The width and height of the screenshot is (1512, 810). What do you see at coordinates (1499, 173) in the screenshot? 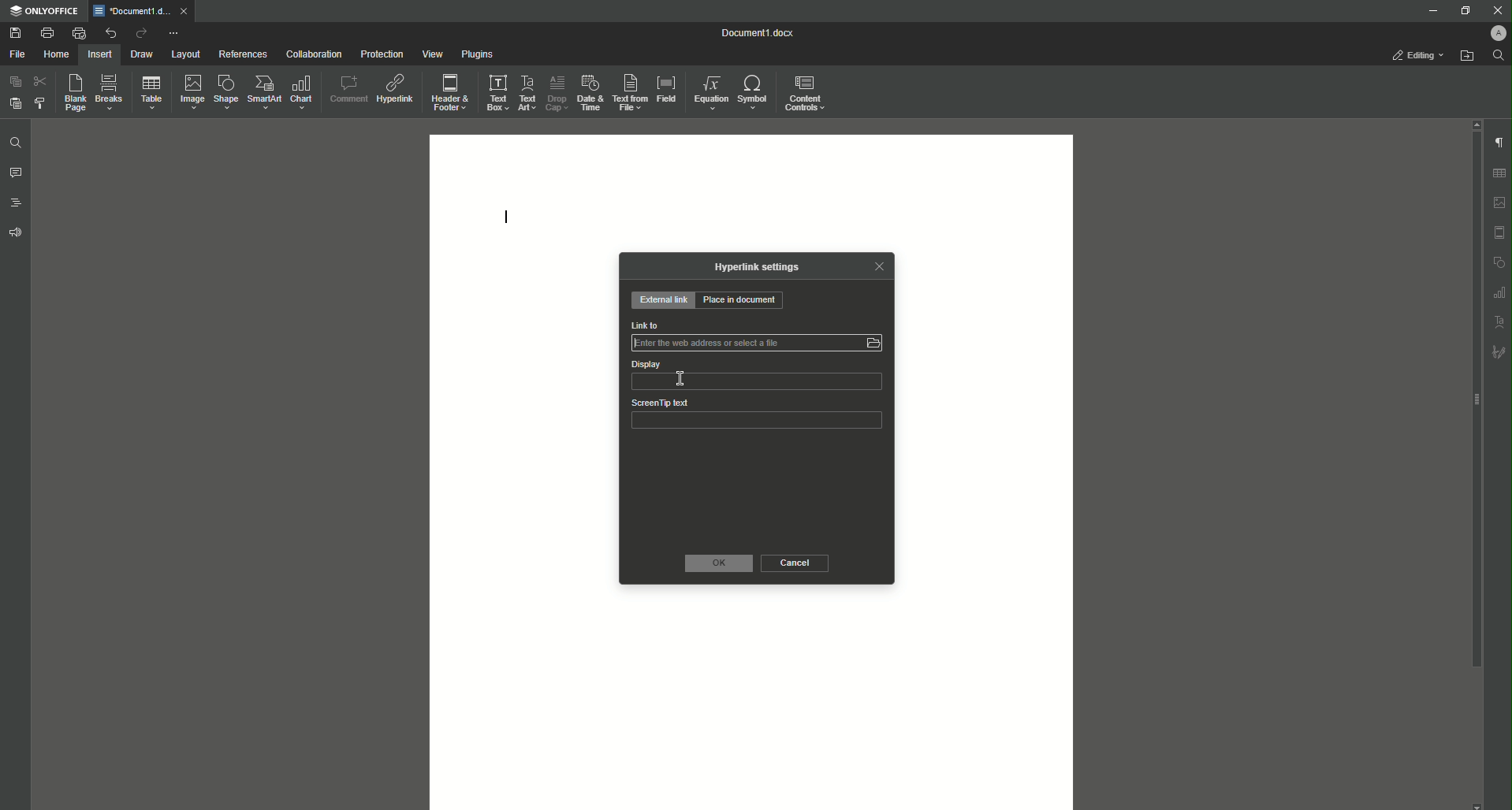
I see `Table settings` at bounding box center [1499, 173].